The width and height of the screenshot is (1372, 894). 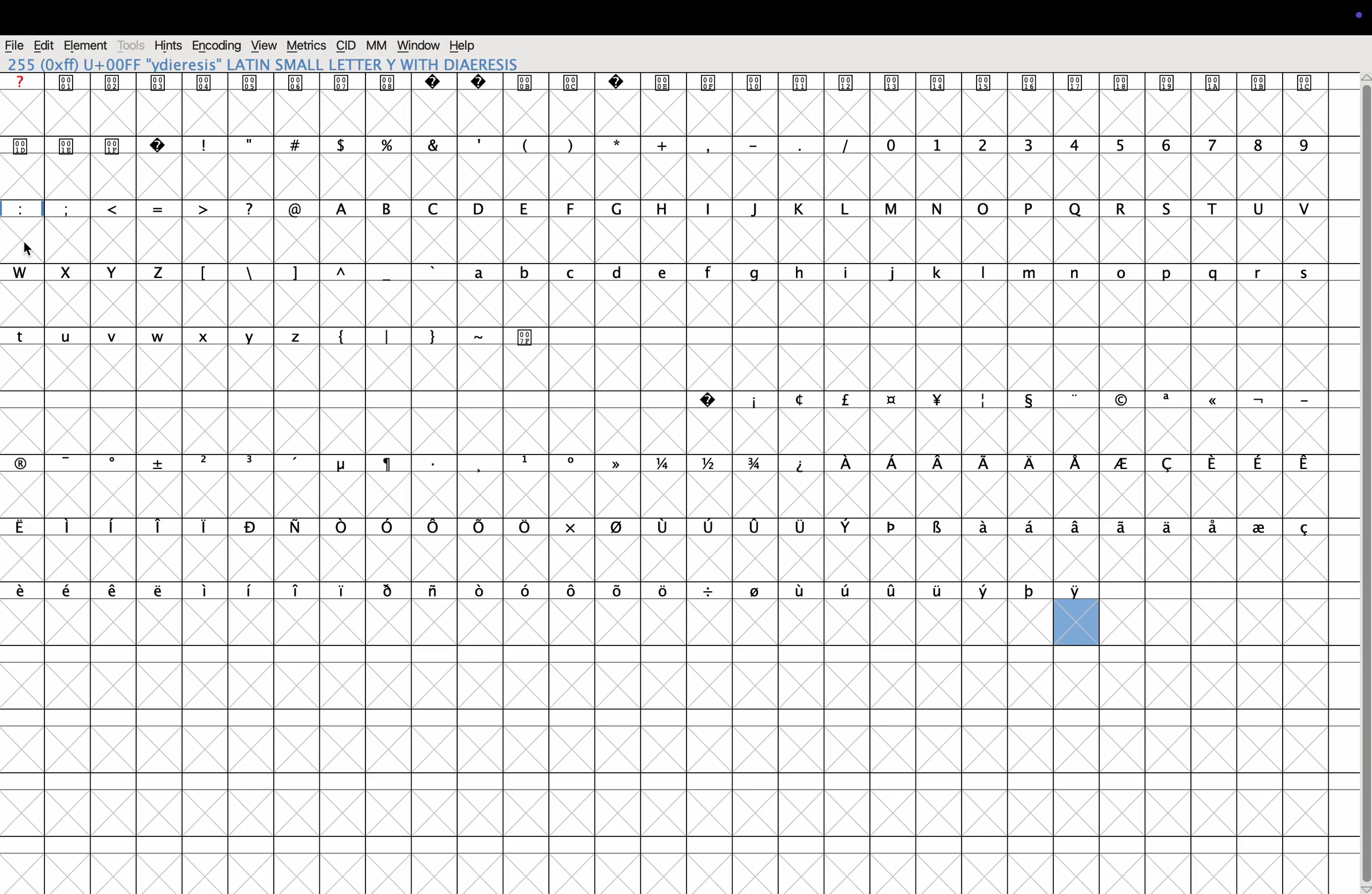 What do you see at coordinates (670, 495) in the screenshot?
I see `greek words` at bounding box center [670, 495].